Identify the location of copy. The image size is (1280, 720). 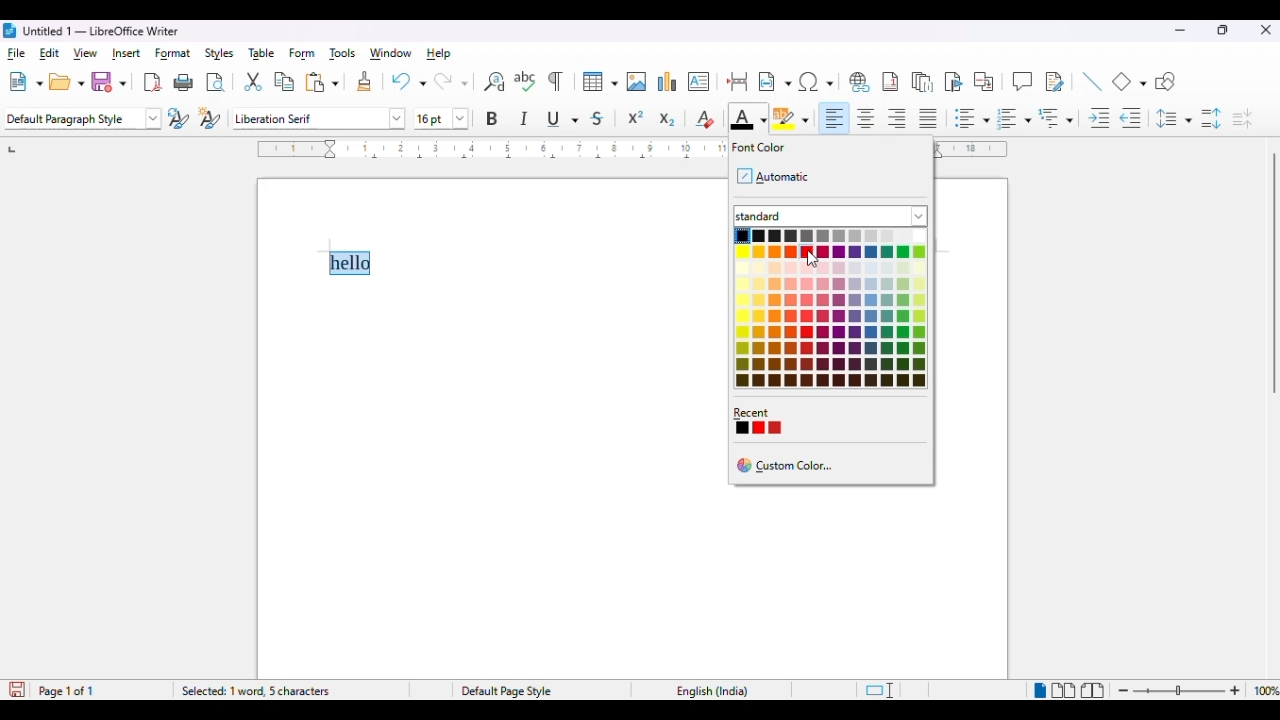
(285, 83).